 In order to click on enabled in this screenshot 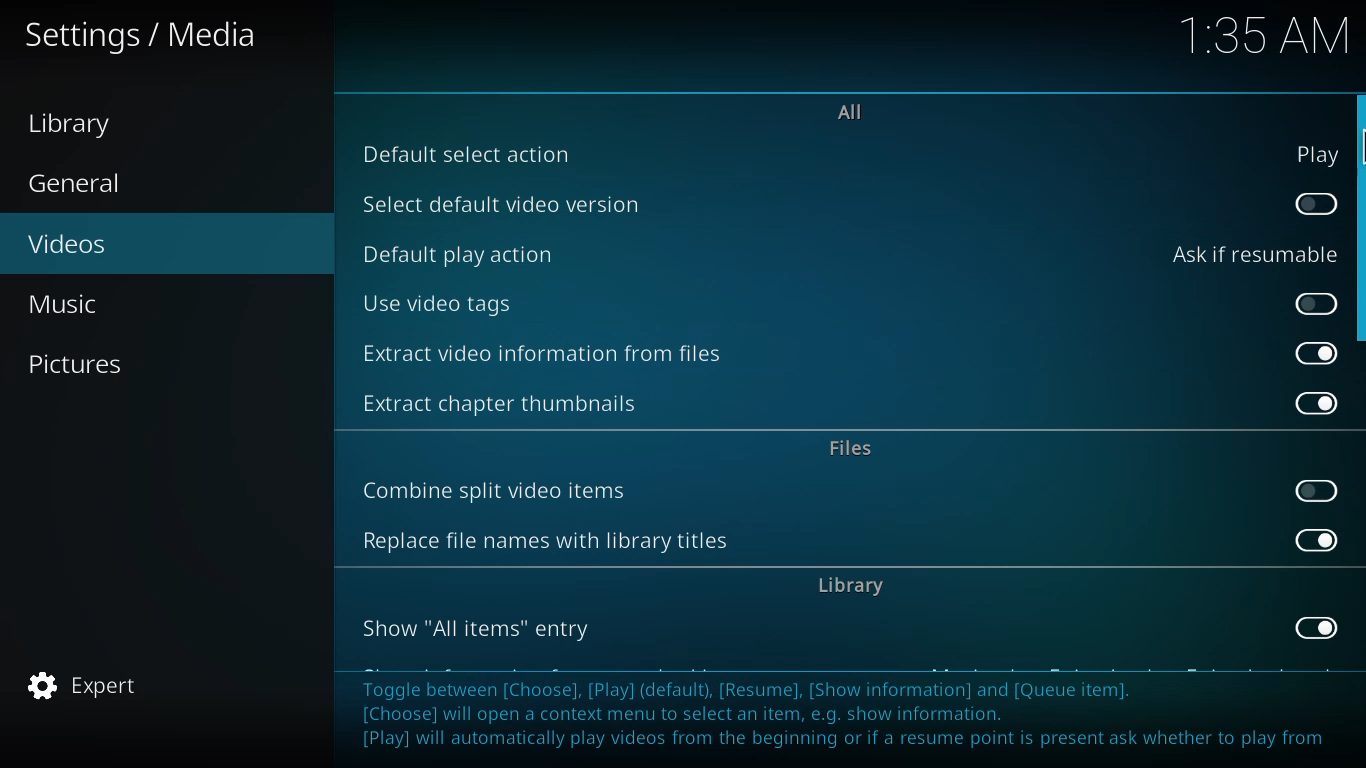, I will do `click(1320, 352)`.